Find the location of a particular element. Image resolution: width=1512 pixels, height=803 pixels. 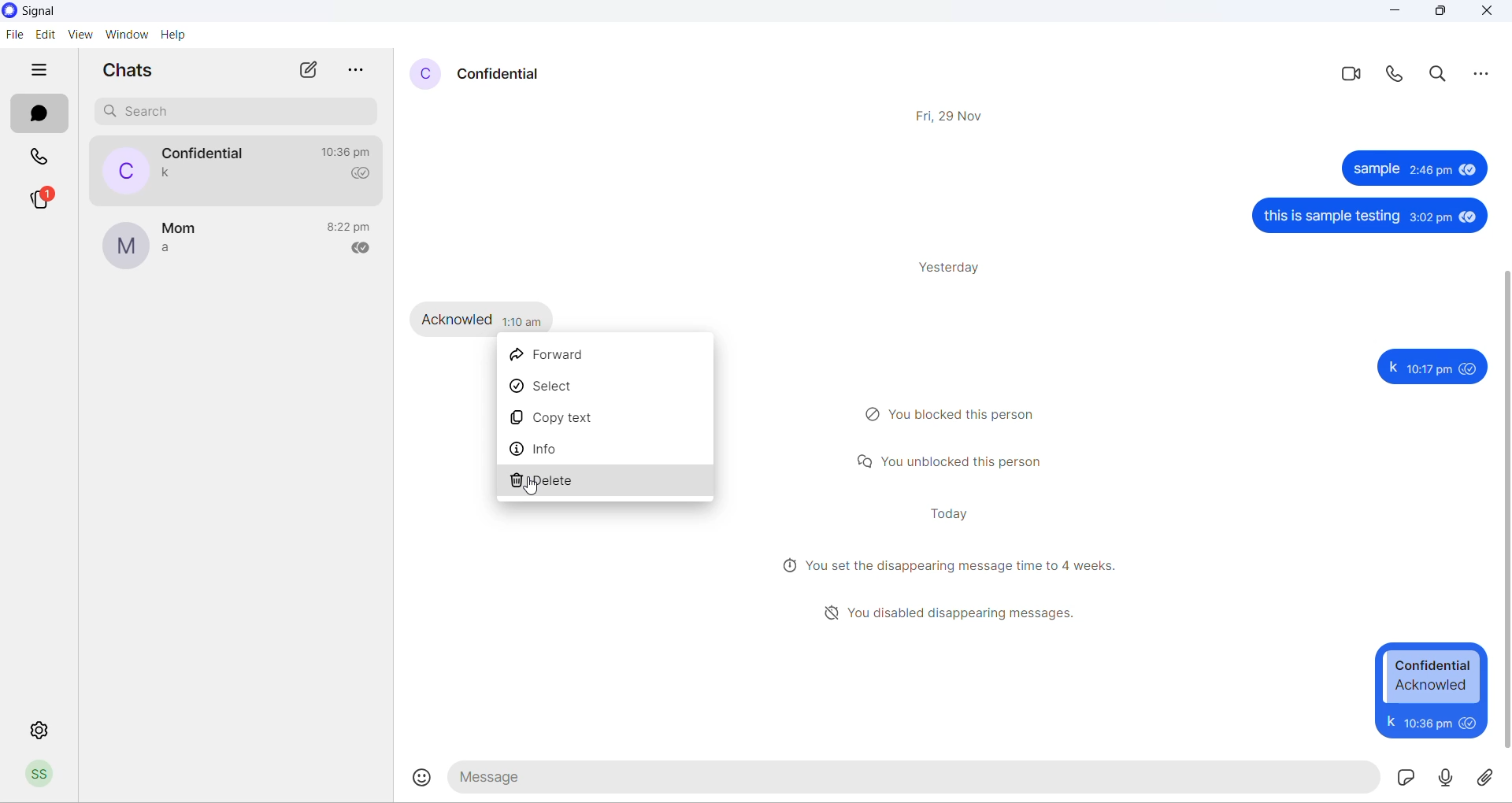

today  is located at coordinates (953, 516).